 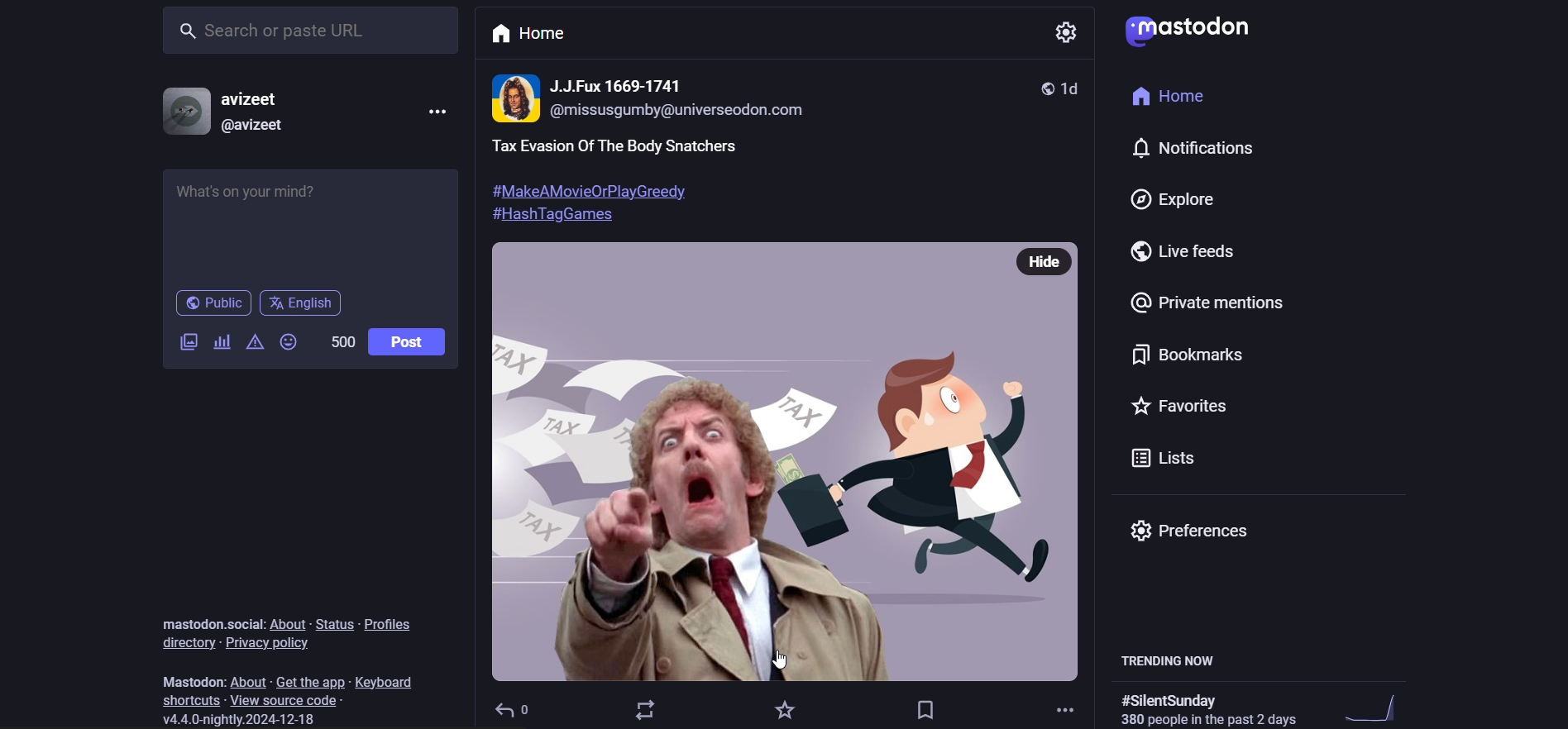 What do you see at coordinates (288, 699) in the screenshot?
I see `source code` at bounding box center [288, 699].